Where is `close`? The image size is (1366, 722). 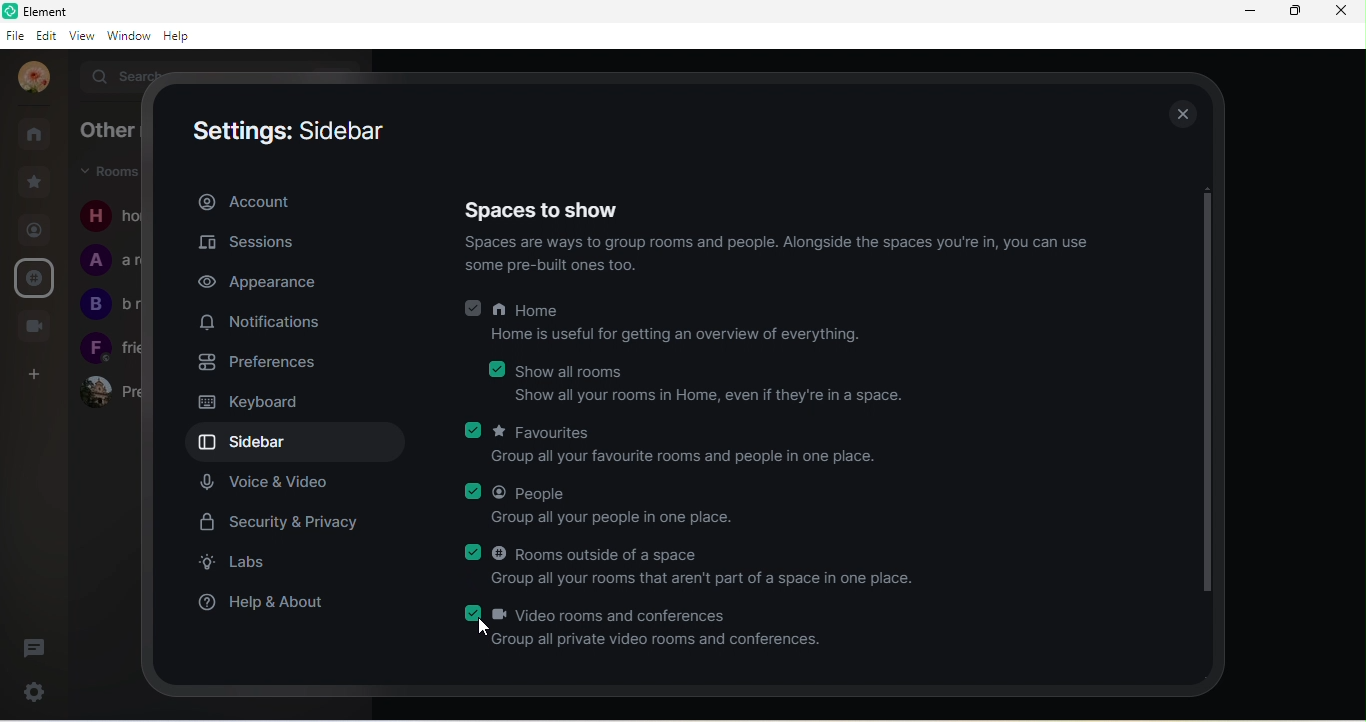 close is located at coordinates (1176, 112).